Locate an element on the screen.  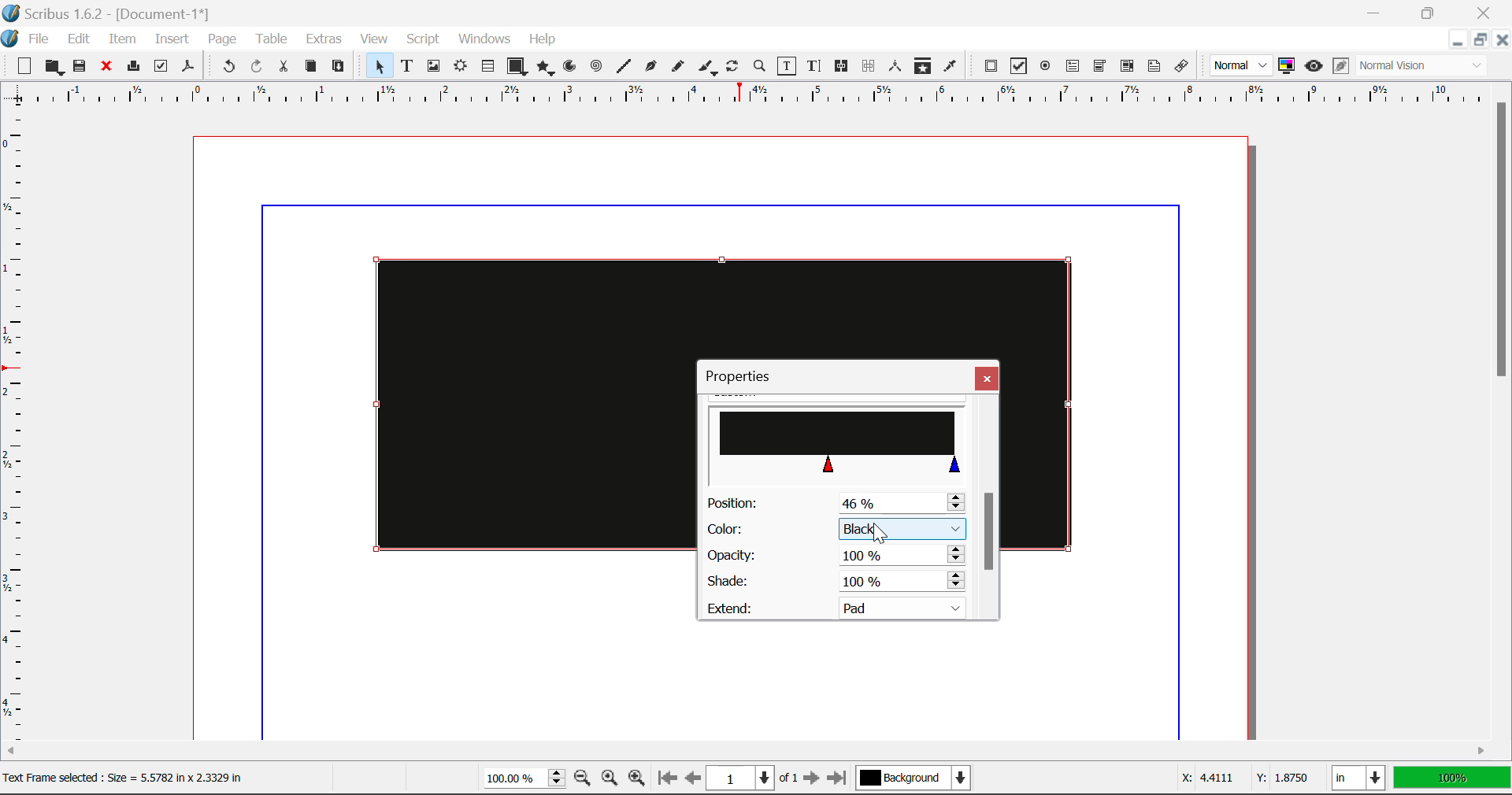
Delink Frames is located at coordinates (869, 66).